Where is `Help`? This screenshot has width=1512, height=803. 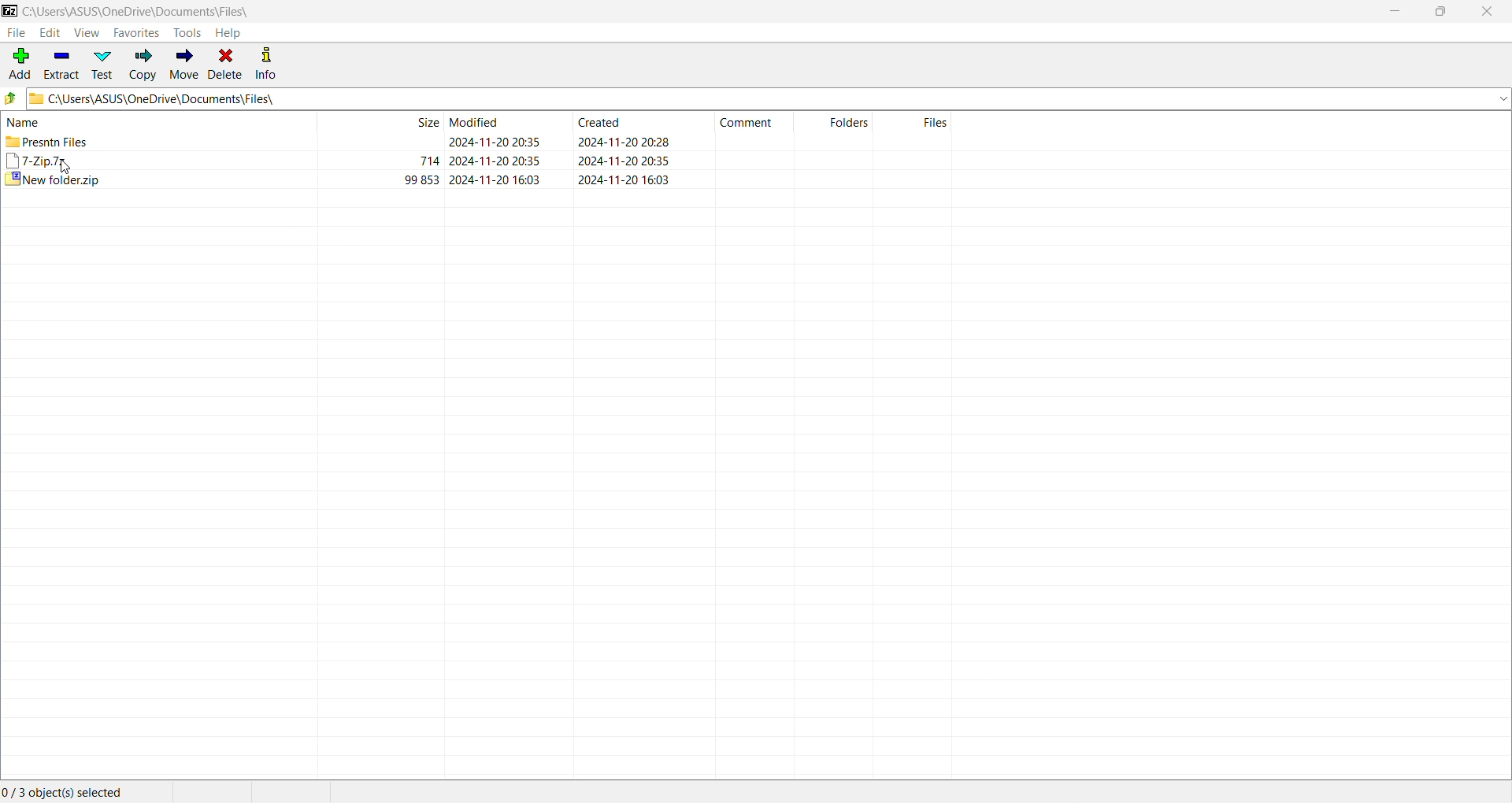 Help is located at coordinates (228, 32).